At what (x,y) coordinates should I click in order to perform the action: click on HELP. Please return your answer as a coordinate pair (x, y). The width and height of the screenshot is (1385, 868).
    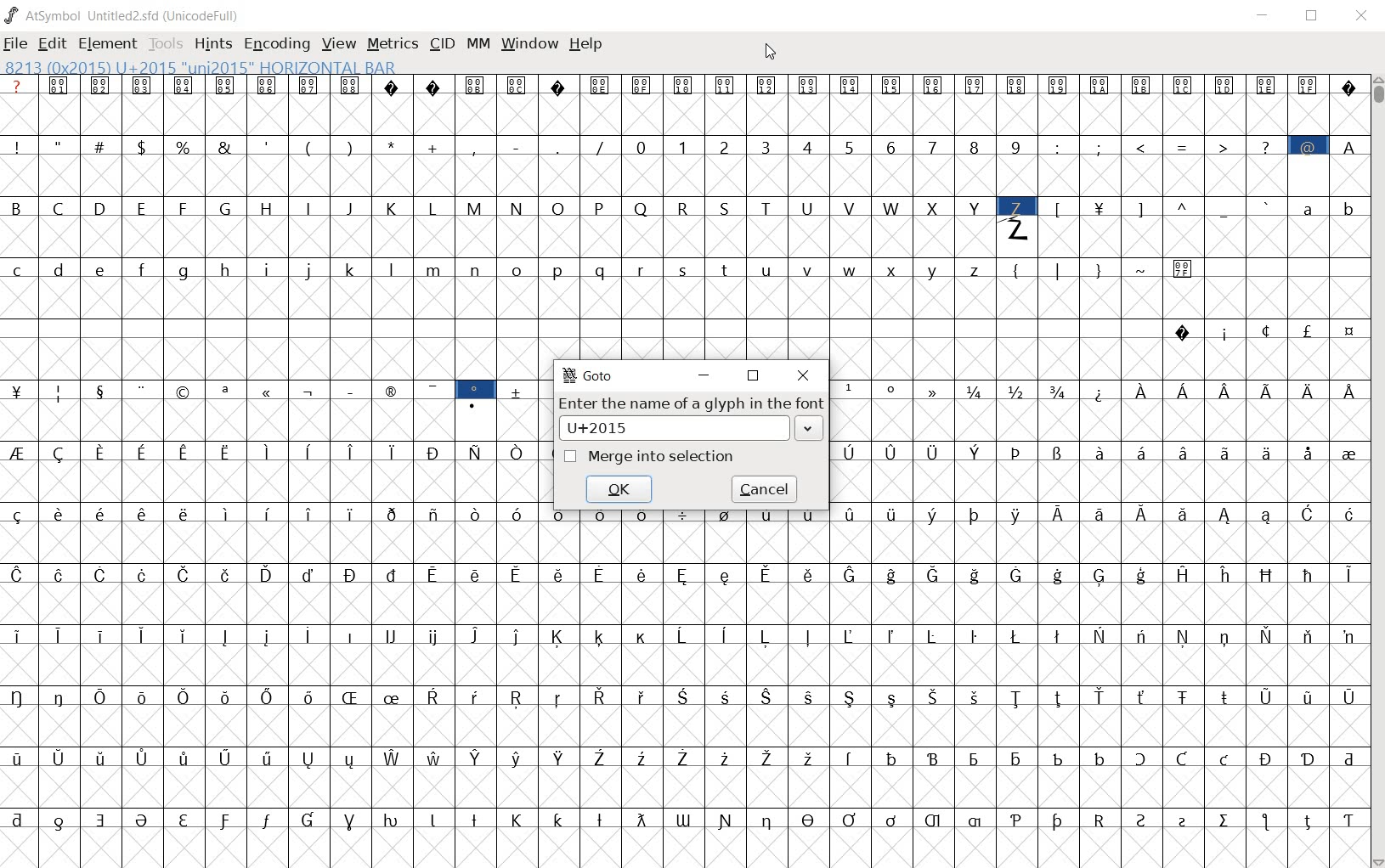
    Looking at the image, I should click on (588, 43).